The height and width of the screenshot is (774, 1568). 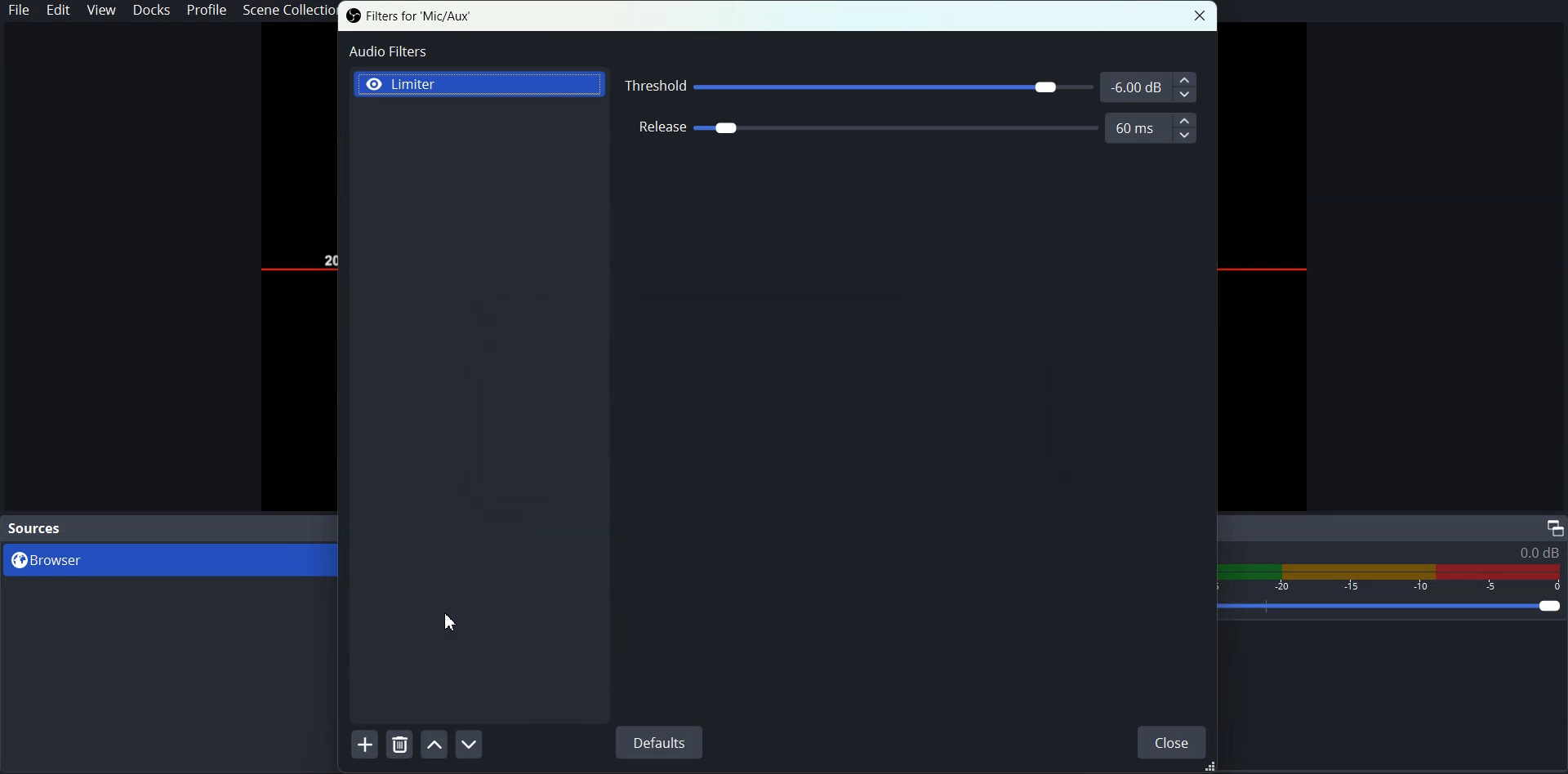 What do you see at coordinates (452, 623) in the screenshot?
I see `Cursor` at bounding box center [452, 623].